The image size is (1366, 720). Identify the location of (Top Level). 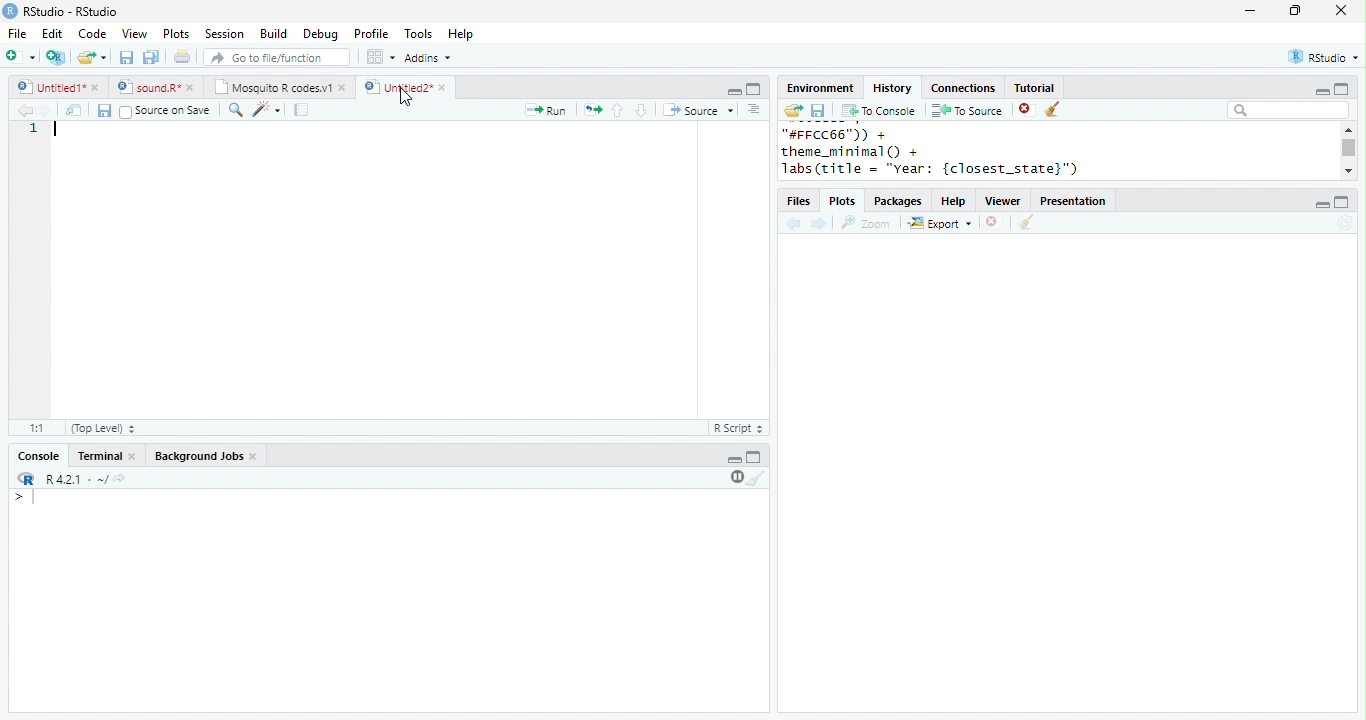
(103, 428).